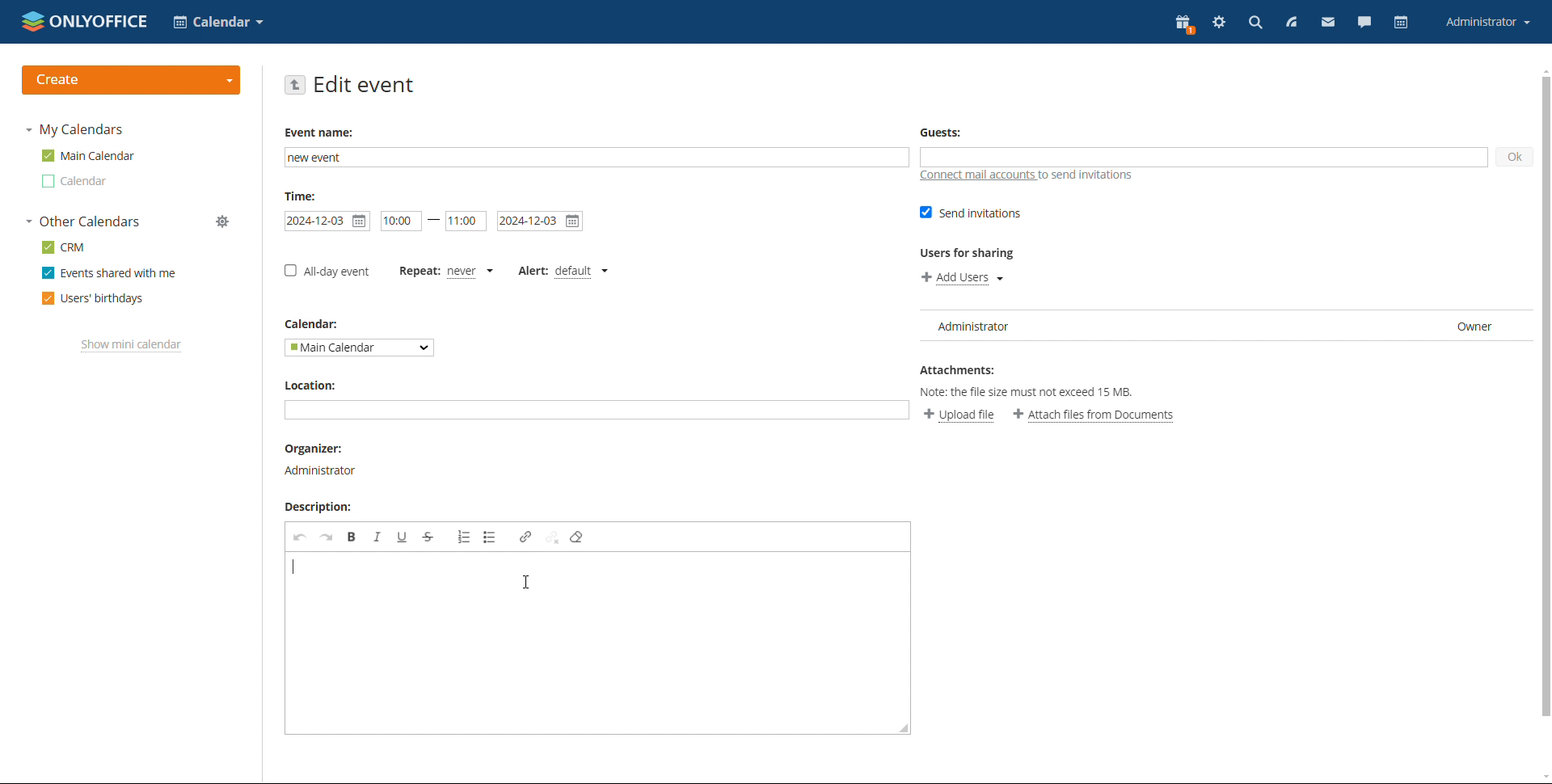  I want to click on add event name, so click(597, 158).